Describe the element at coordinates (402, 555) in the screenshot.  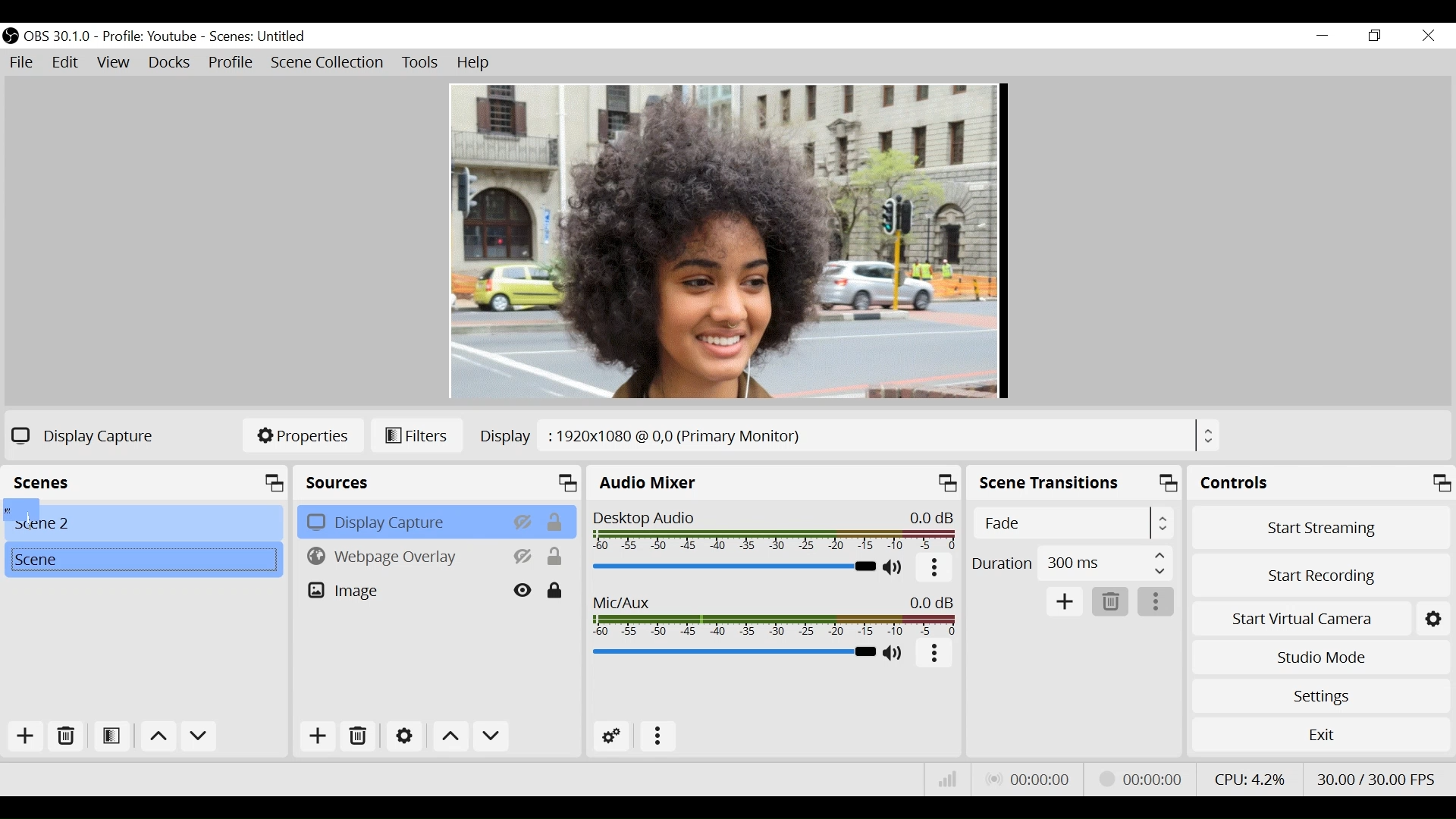
I see `Webpage Overlay` at that location.